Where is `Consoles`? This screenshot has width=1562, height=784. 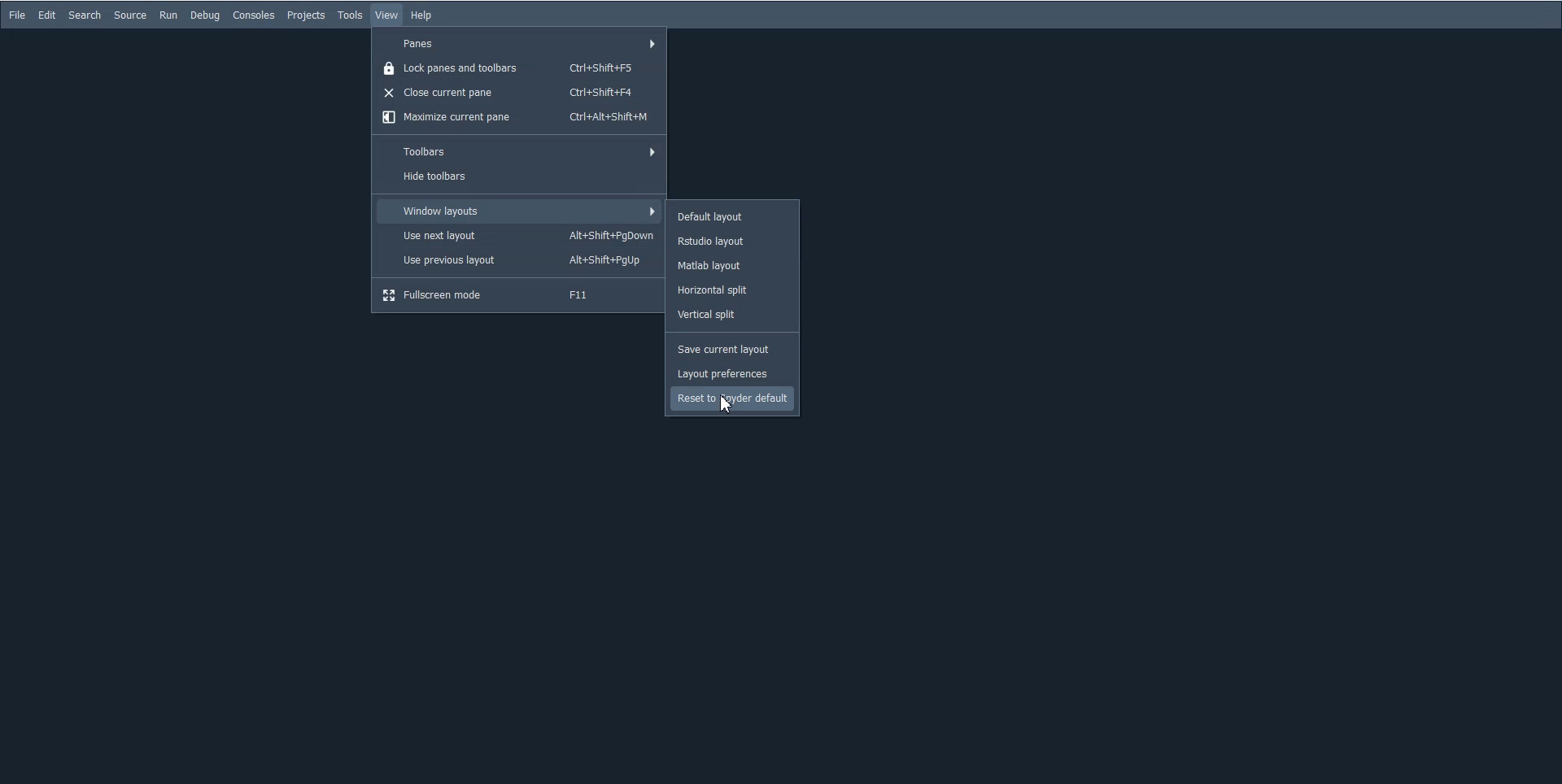
Consoles is located at coordinates (254, 15).